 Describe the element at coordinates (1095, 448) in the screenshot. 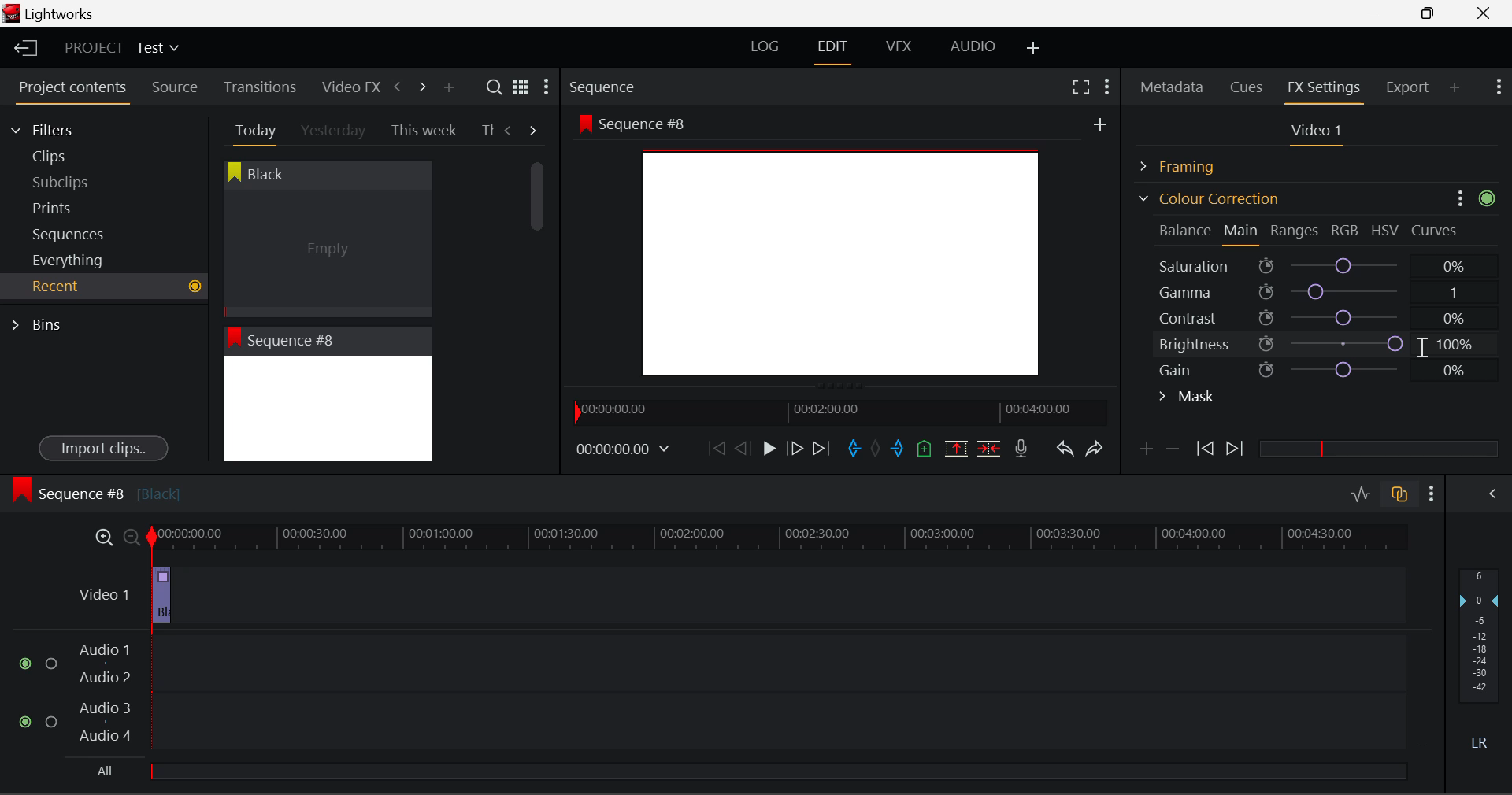

I see `Redo` at that location.